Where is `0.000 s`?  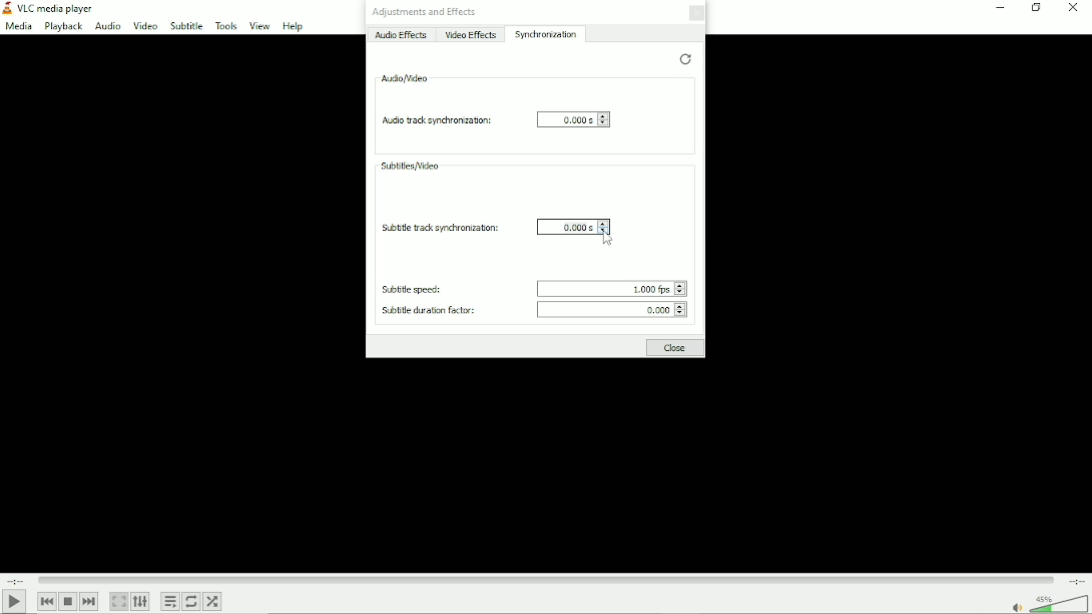 0.000 s is located at coordinates (574, 226).